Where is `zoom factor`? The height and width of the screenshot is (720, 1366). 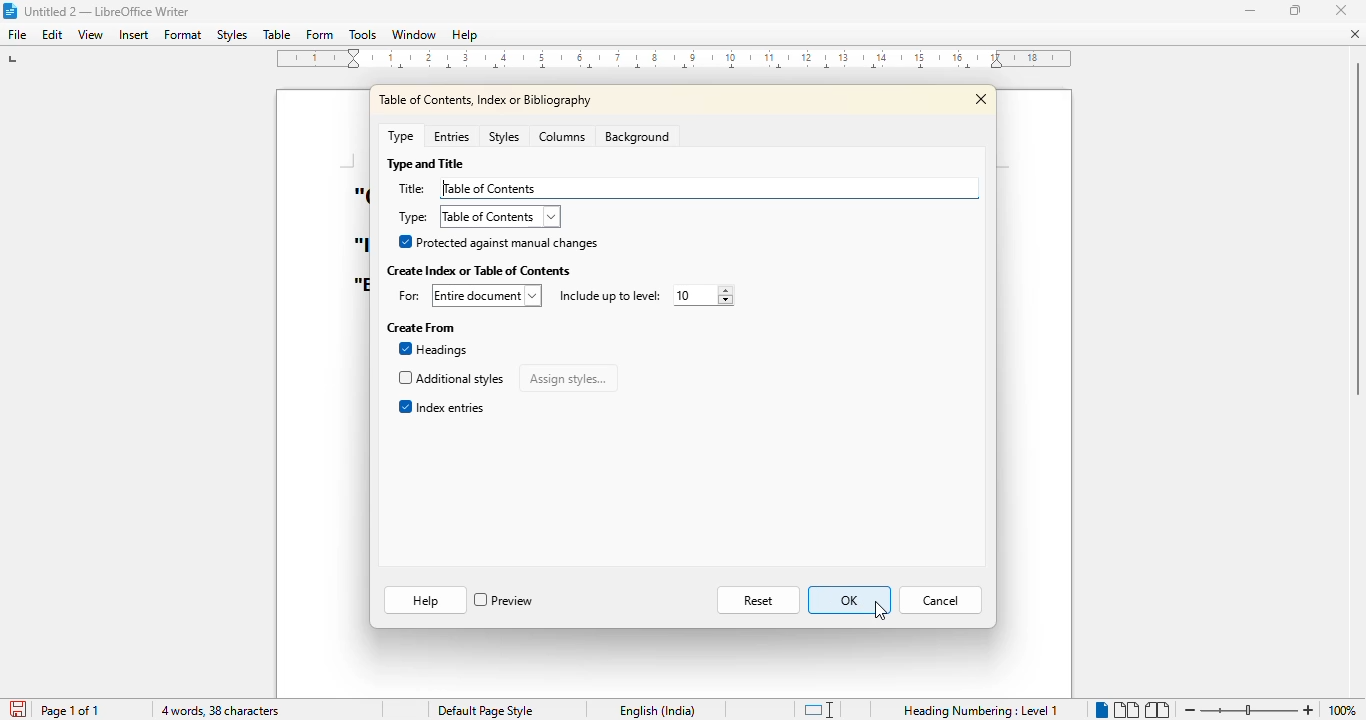
zoom factor is located at coordinates (1344, 711).